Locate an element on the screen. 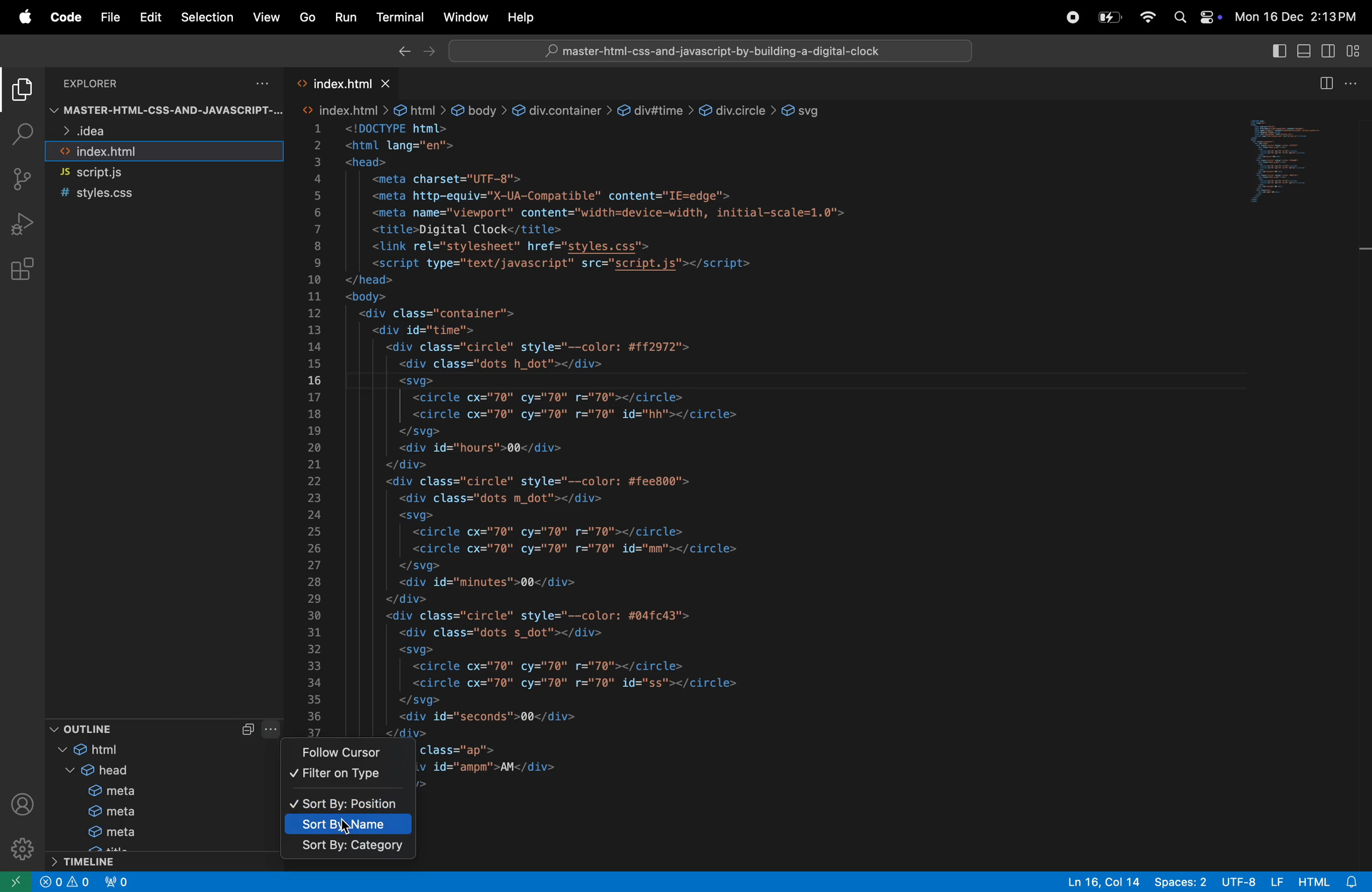 Image resolution: width=1372 pixels, height=892 pixels. svg is located at coordinates (805, 110).